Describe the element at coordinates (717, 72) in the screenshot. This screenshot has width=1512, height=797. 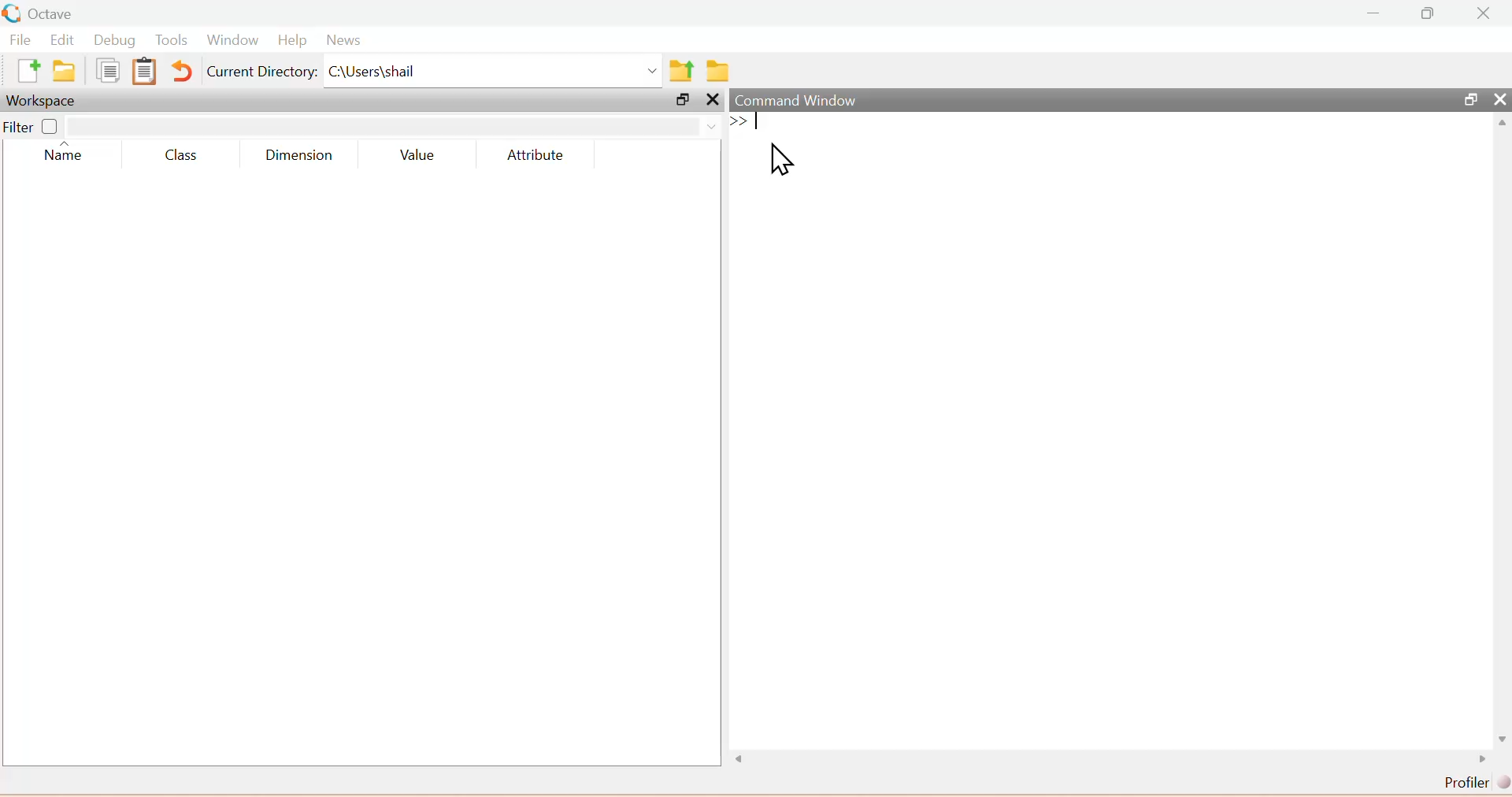
I see `Browse directories` at that location.